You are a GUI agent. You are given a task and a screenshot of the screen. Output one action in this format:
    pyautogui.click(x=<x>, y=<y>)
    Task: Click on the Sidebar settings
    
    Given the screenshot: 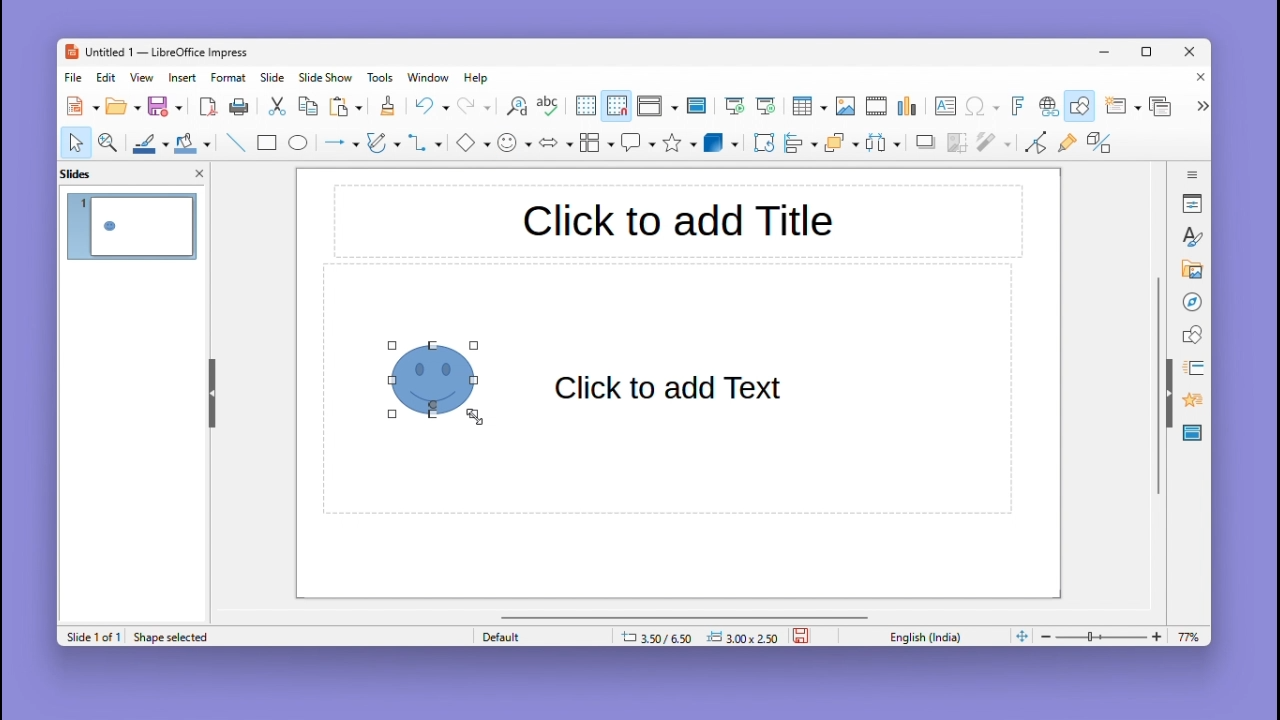 What is the action you would take?
    pyautogui.click(x=1193, y=172)
    